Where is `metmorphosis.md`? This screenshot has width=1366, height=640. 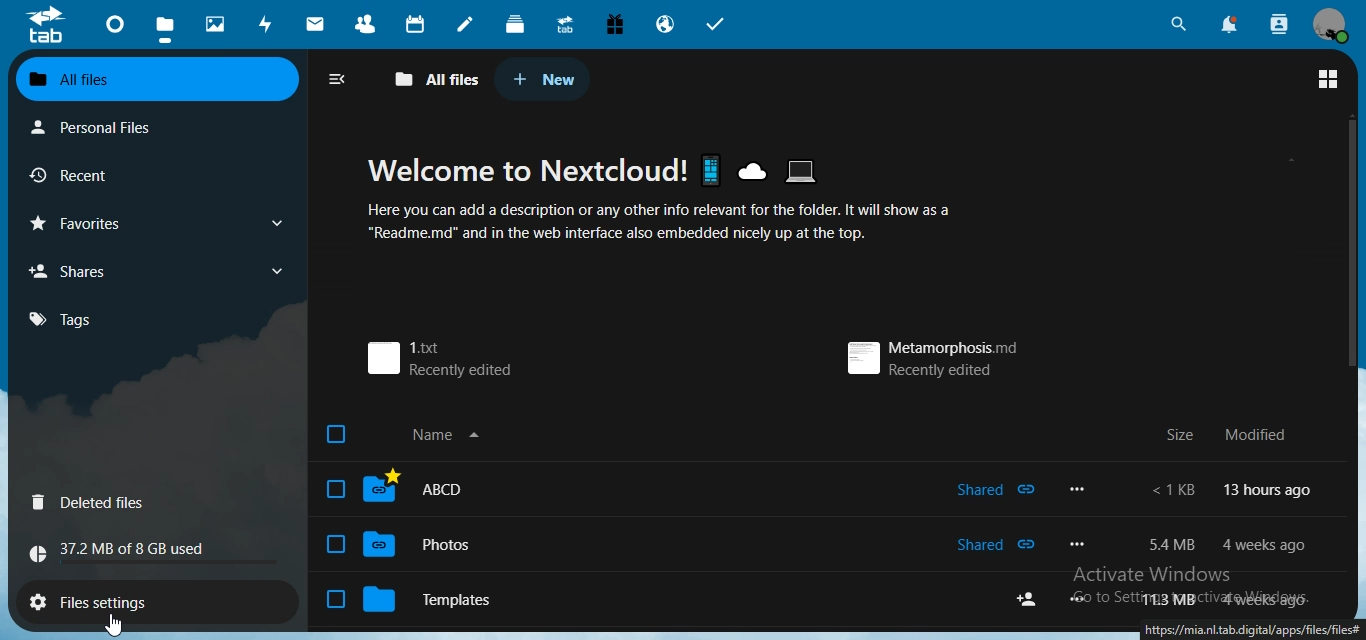 metmorphosis.md is located at coordinates (932, 352).